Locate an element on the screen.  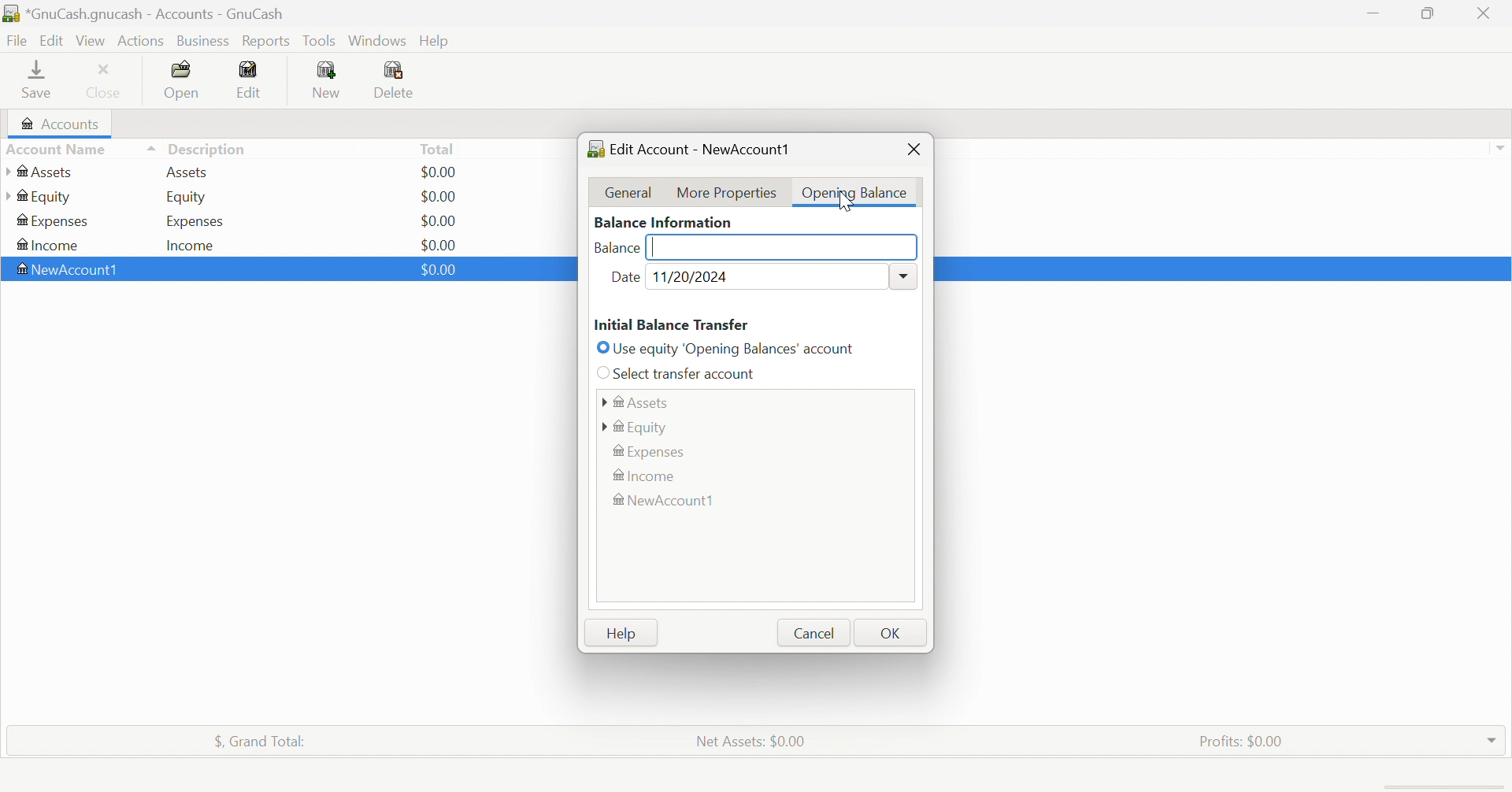
Business is located at coordinates (203, 39).